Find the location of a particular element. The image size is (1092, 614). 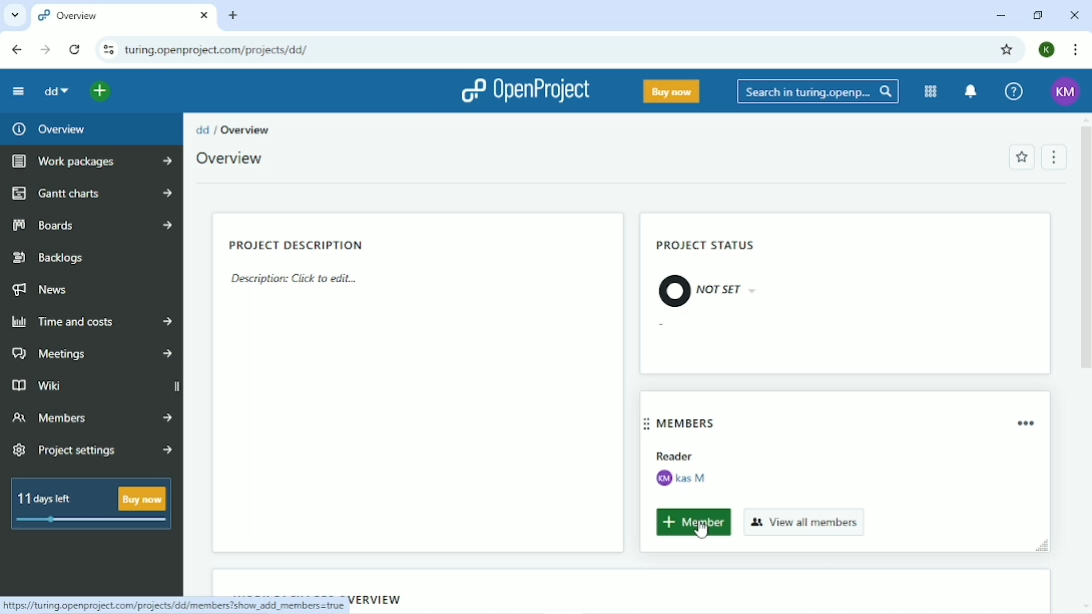

Overview is located at coordinates (238, 159).